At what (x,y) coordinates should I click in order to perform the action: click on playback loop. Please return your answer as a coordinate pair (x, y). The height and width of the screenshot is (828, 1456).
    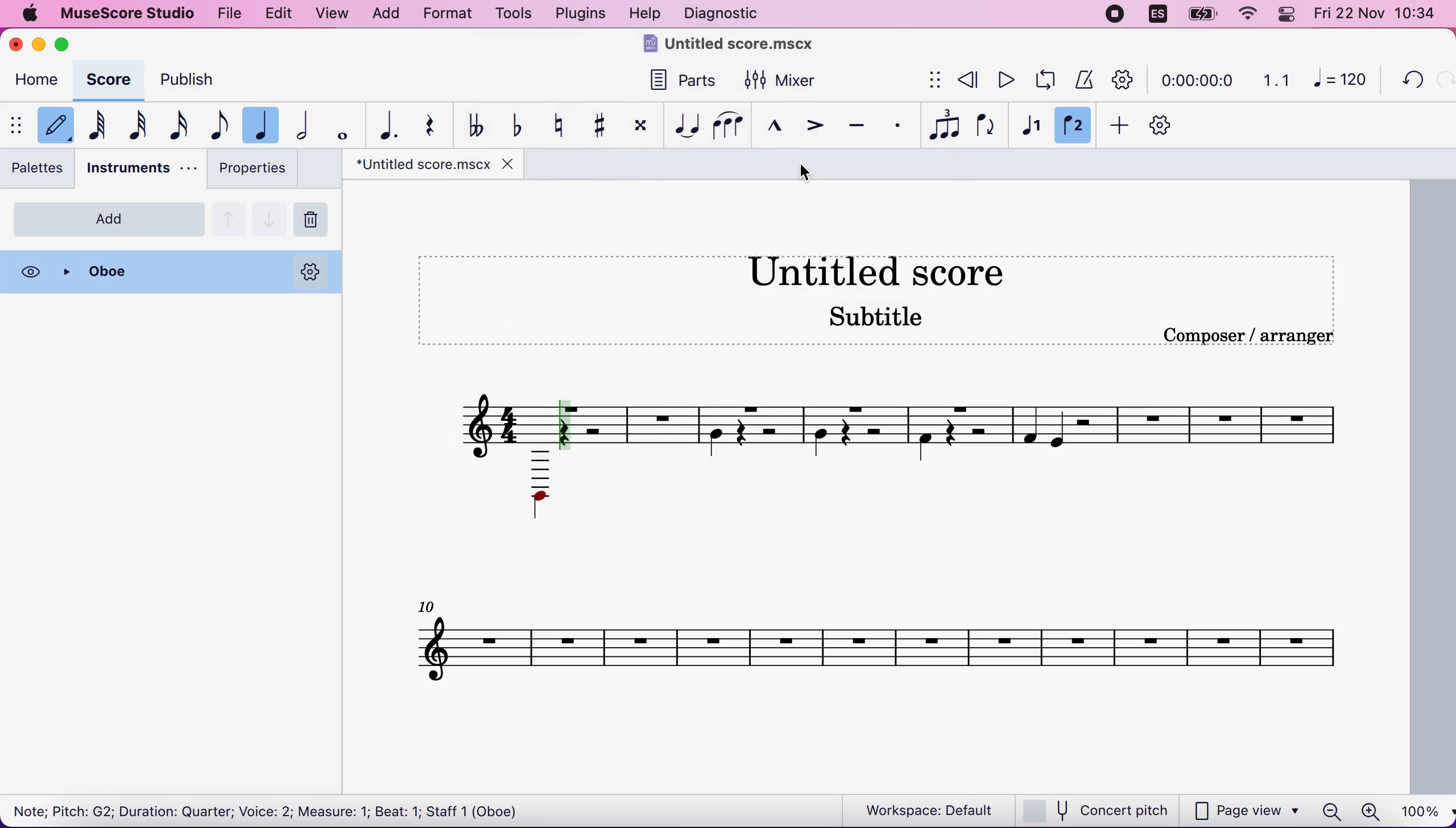
    Looking at the image, I should click on (1042, 82).